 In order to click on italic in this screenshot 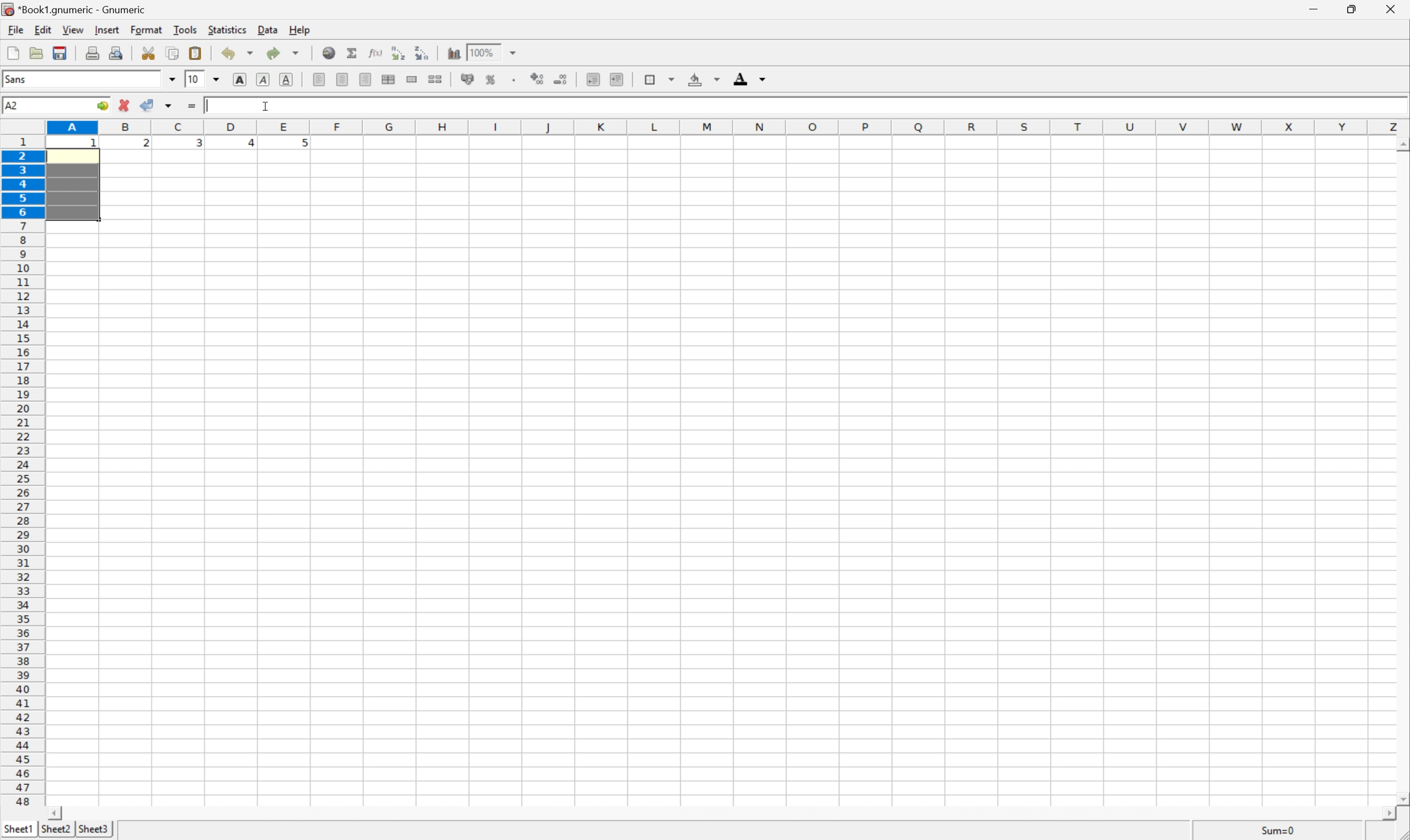, I will do `click(264, 79)`.